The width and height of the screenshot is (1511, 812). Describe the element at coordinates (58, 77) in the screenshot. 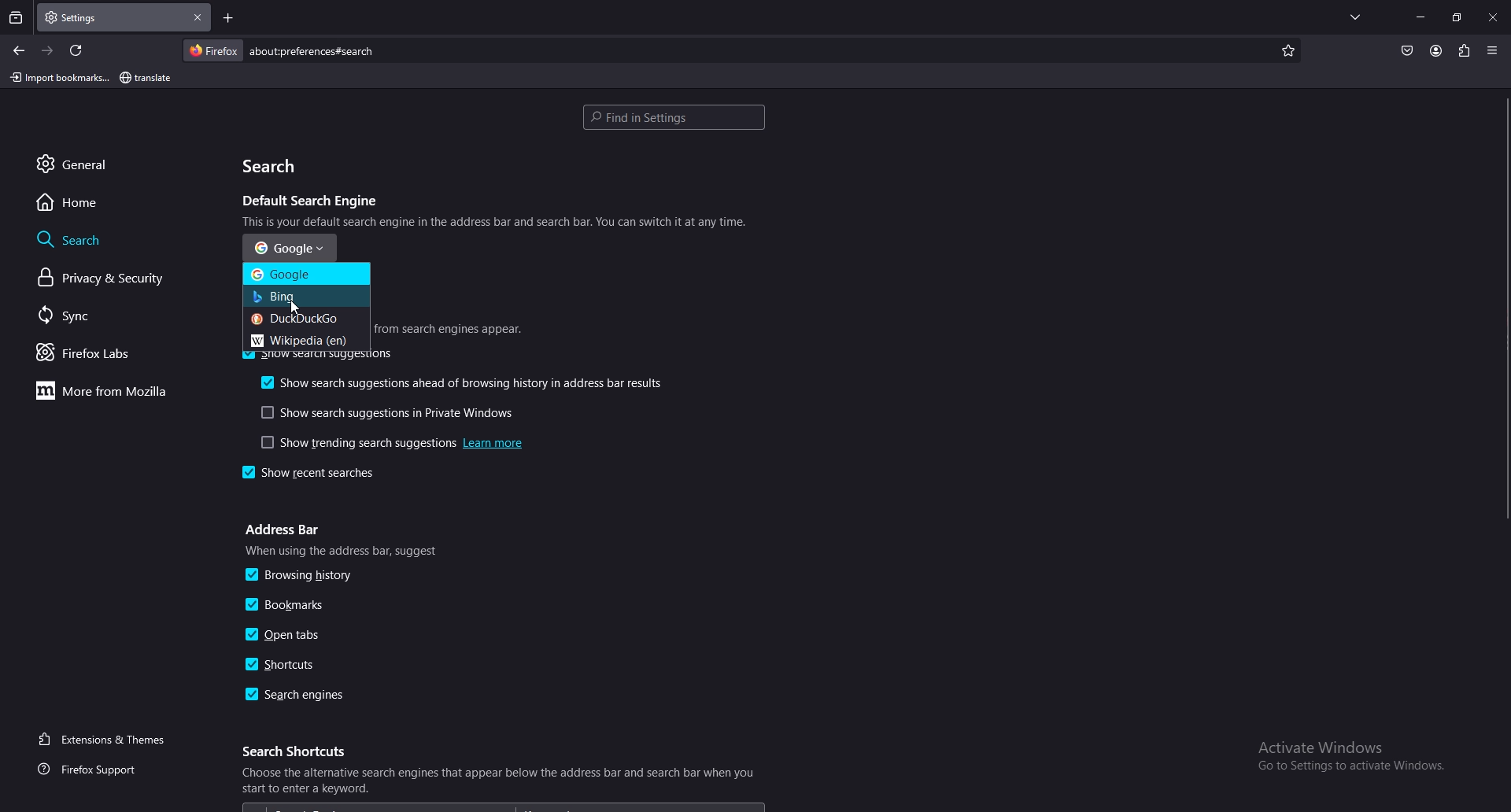

I see `import bookmark` at that location.